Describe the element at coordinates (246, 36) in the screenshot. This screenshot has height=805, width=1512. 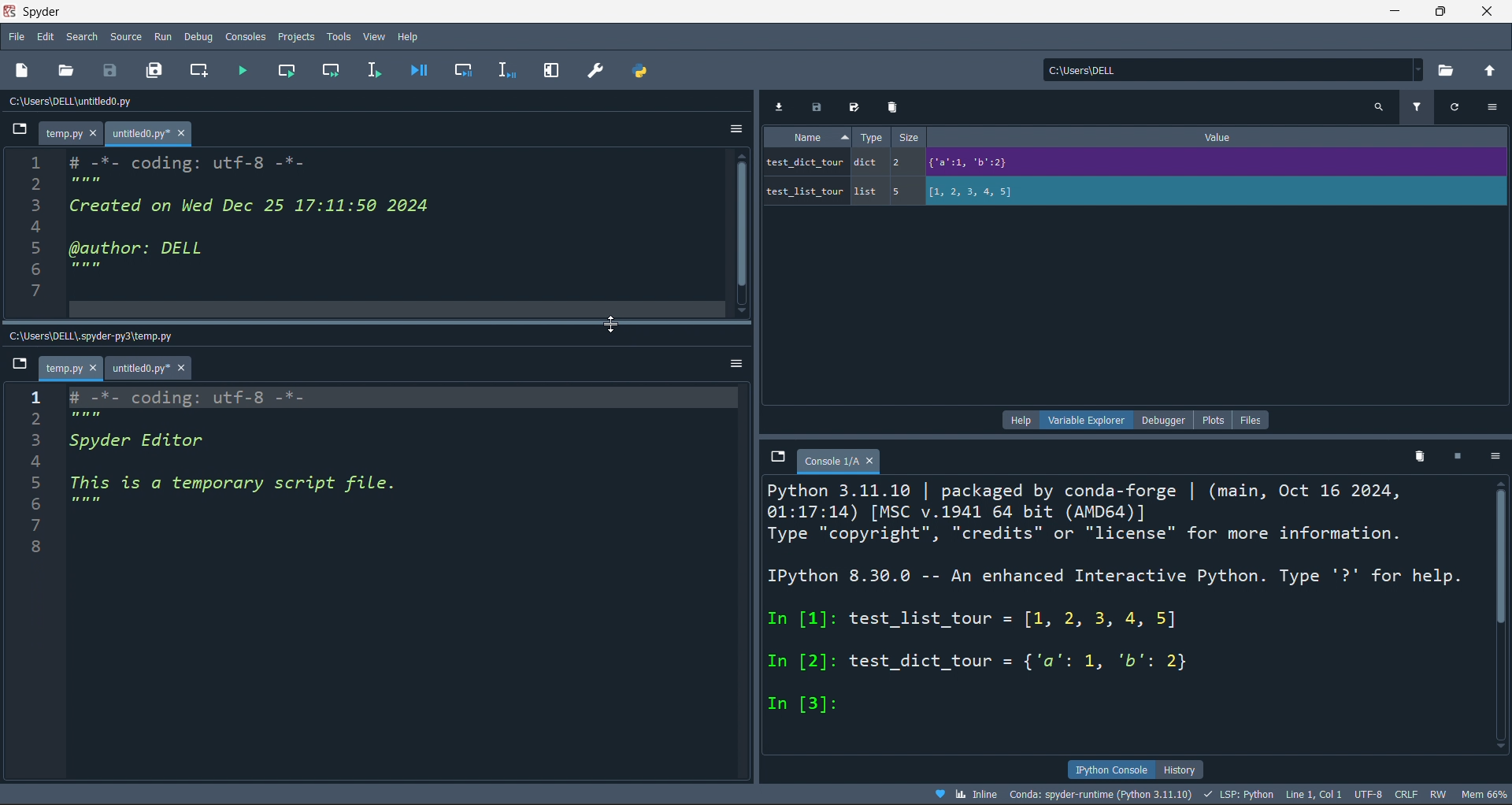
I see `consolesn` at that location.